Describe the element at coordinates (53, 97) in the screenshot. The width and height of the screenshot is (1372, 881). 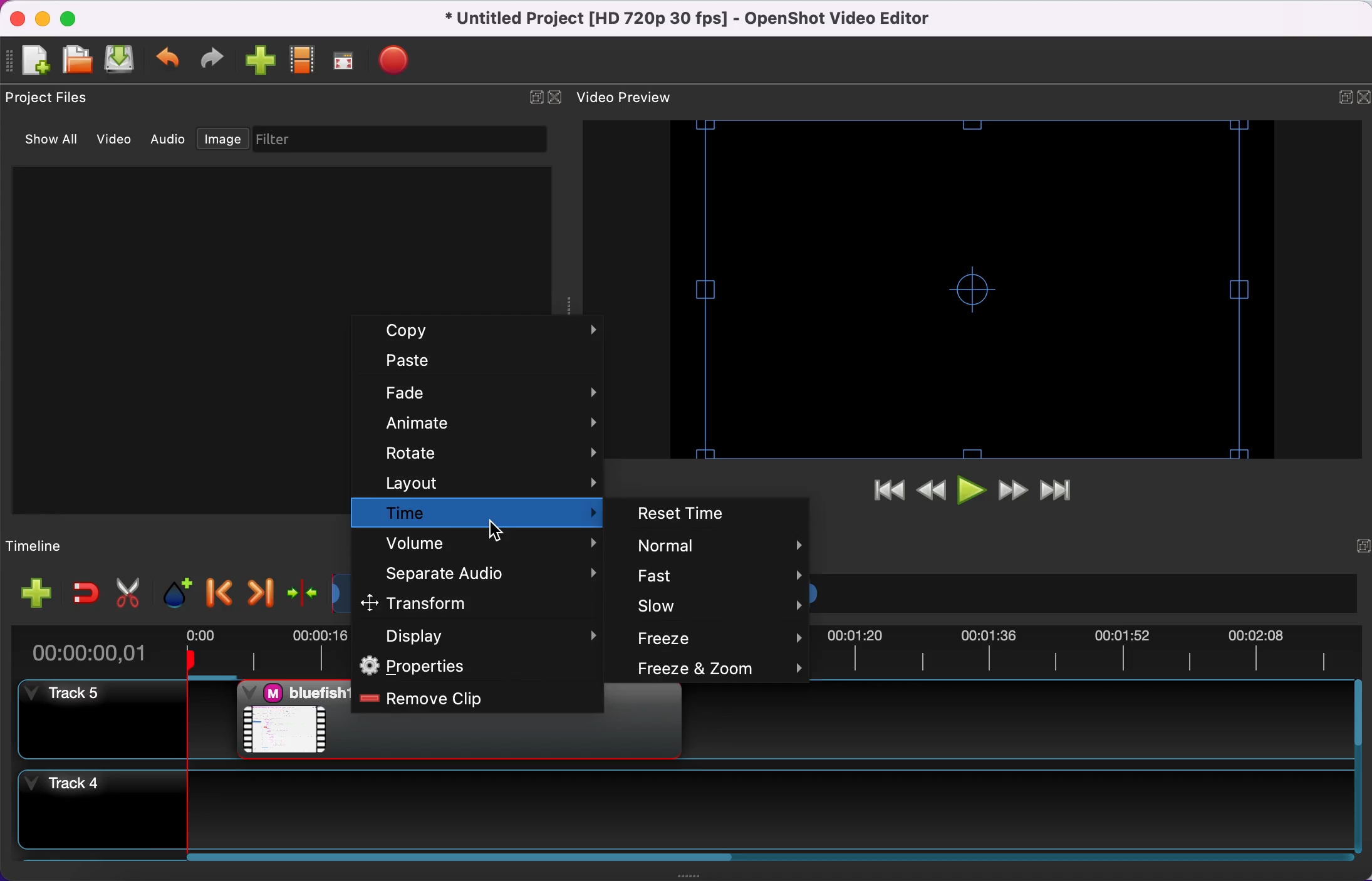
I see `project files` at that location.